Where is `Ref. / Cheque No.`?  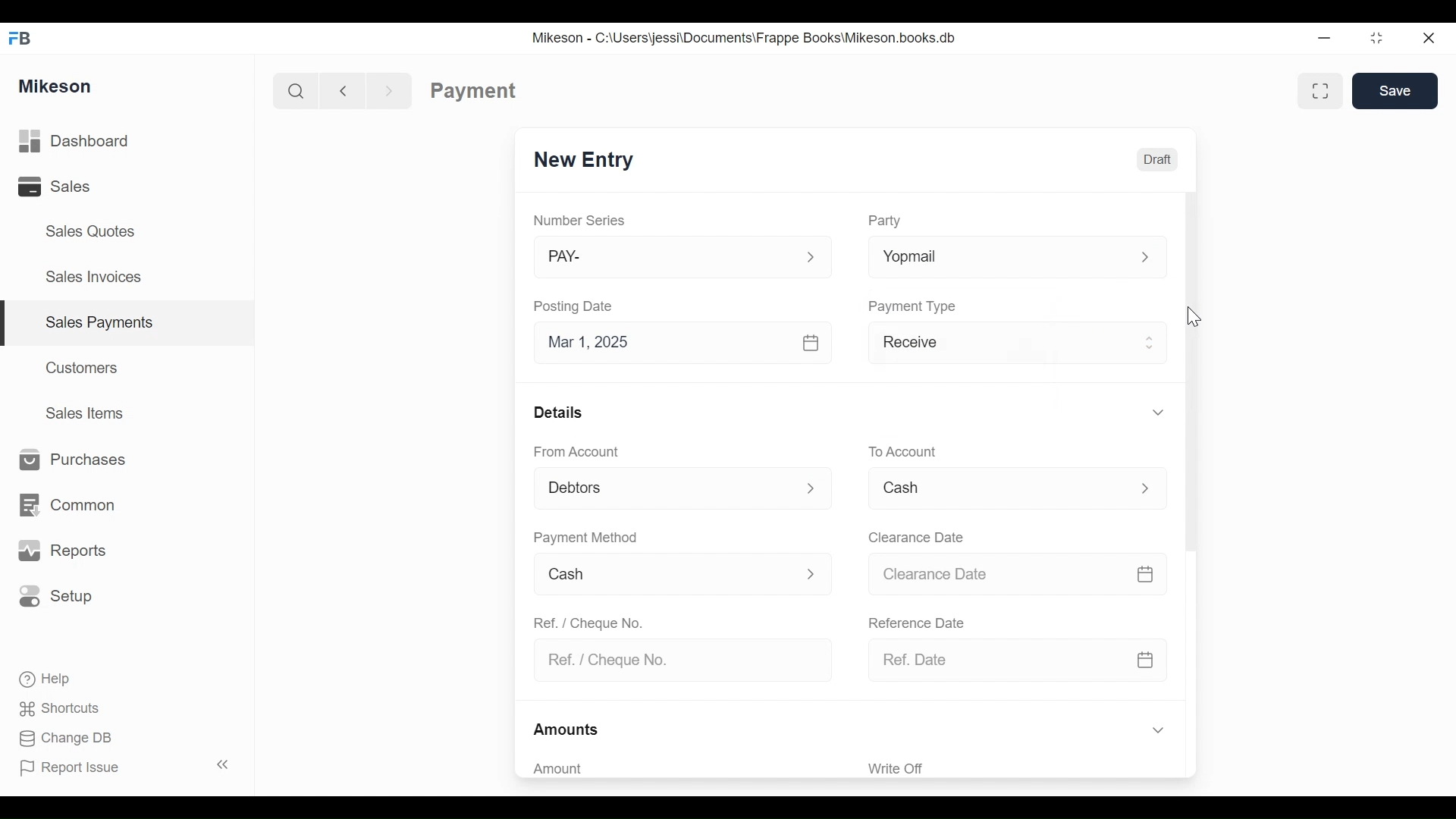 Ref. / Cheque No. is located at coordinates (687, 660).